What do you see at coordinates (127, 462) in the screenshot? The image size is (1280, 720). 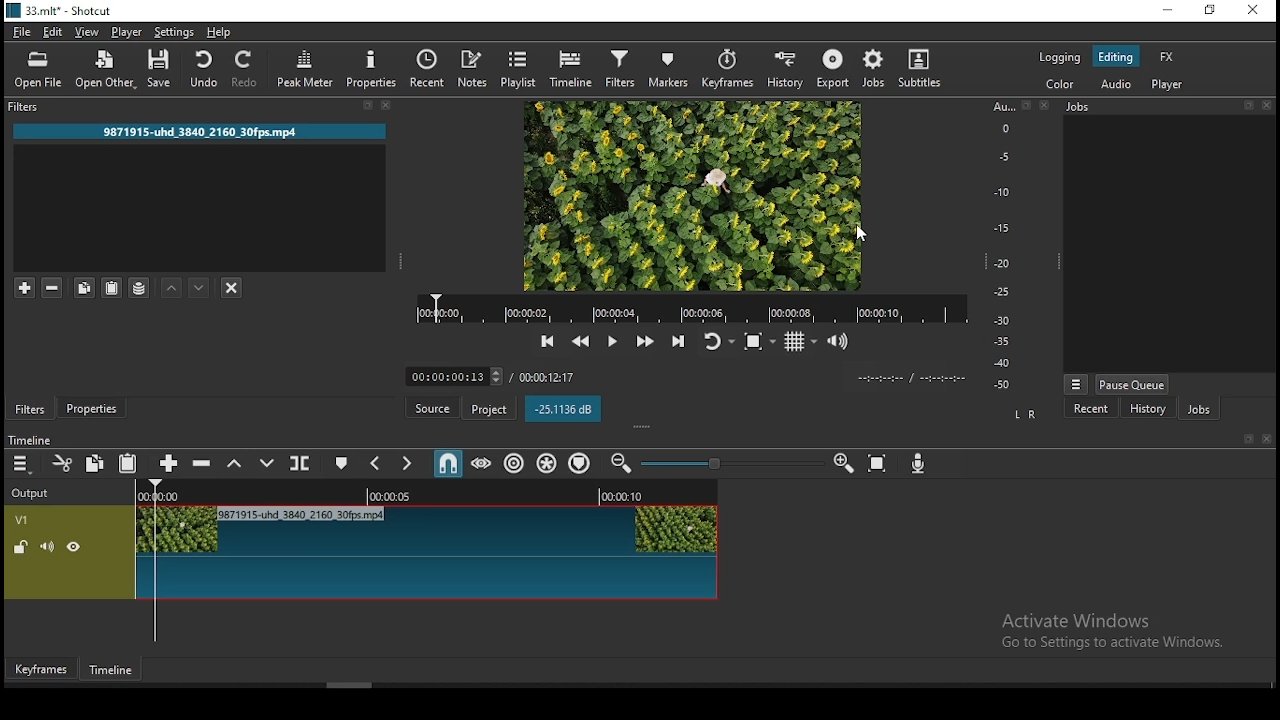 I see `paste` at bounding box center [127, 462].